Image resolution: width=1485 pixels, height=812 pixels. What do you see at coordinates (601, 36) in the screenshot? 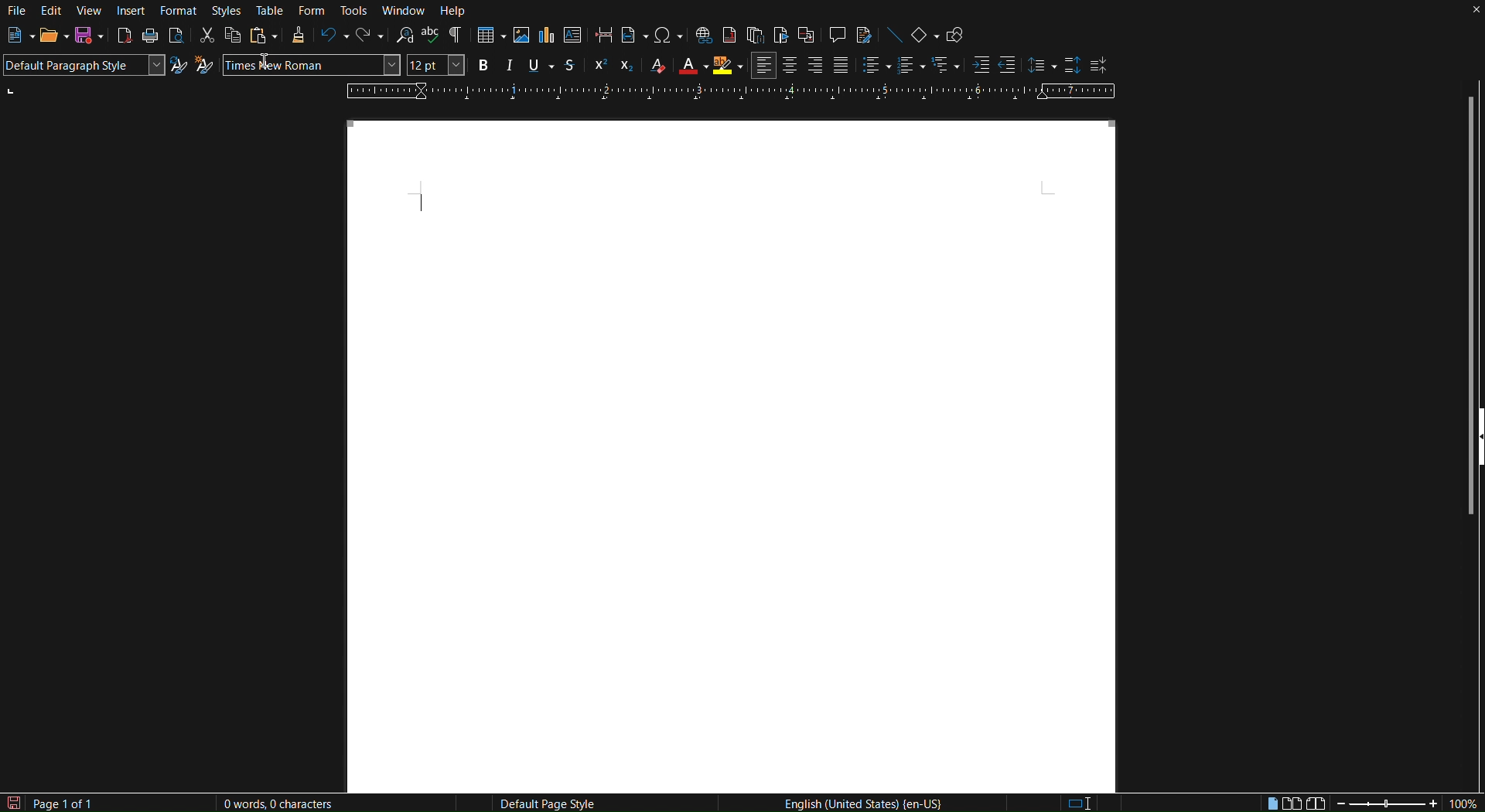
I see `Insert page break` at bounding box center [601, 36].